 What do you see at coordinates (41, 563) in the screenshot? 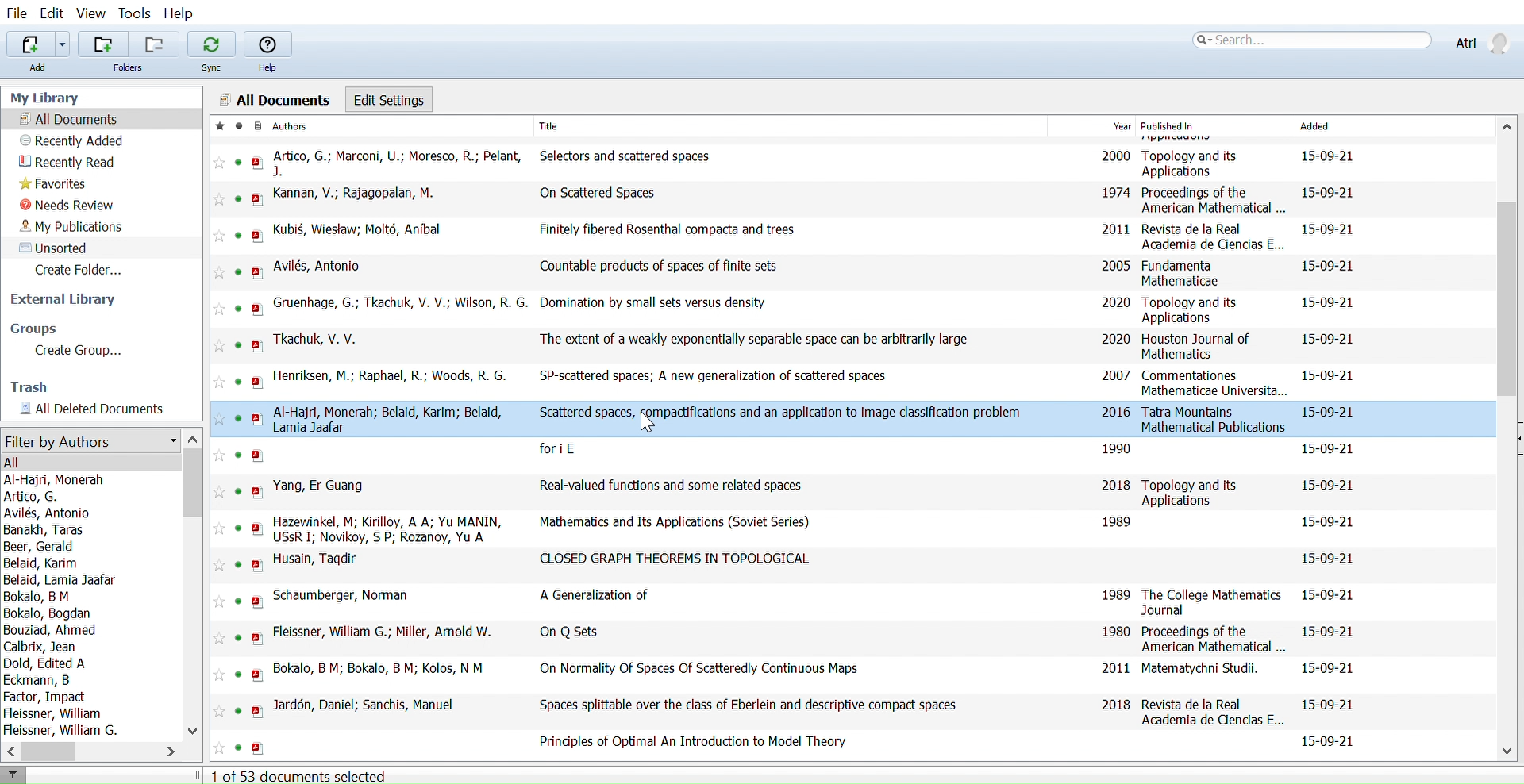
I see `Belaid, Karim` at bounding box center [41, 563].